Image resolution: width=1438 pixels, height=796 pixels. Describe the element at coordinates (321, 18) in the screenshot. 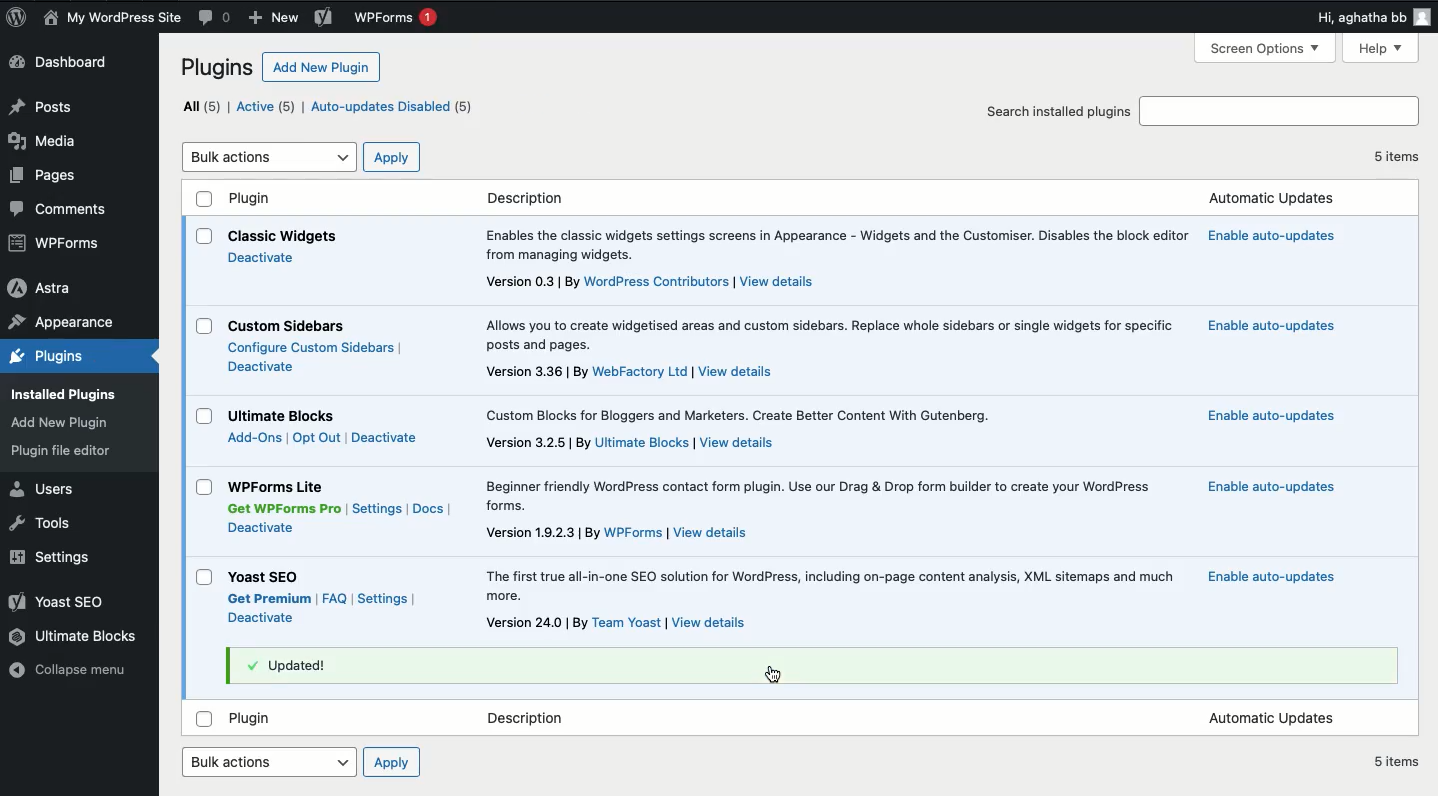

I see `Yoast` at that location.